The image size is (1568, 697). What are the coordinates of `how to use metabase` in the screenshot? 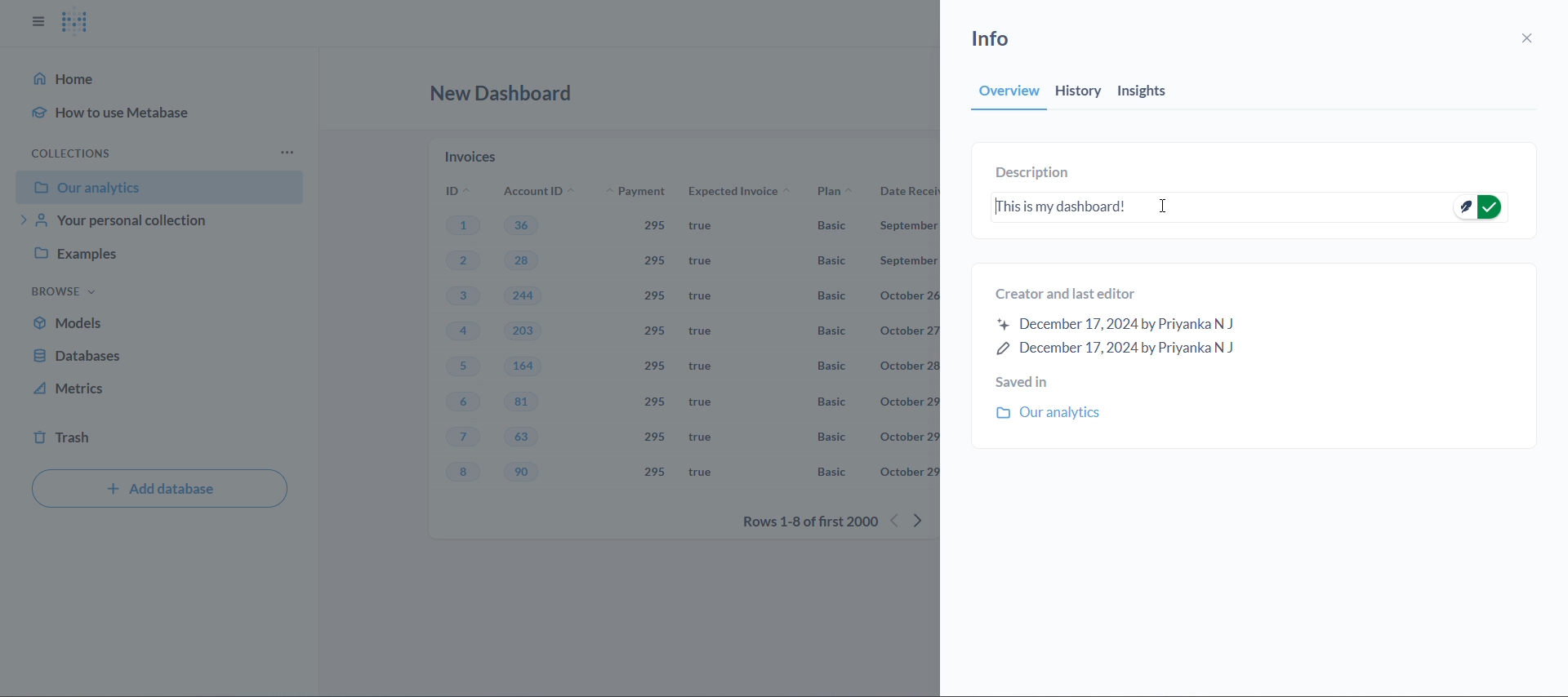 It's located at (128, 109).